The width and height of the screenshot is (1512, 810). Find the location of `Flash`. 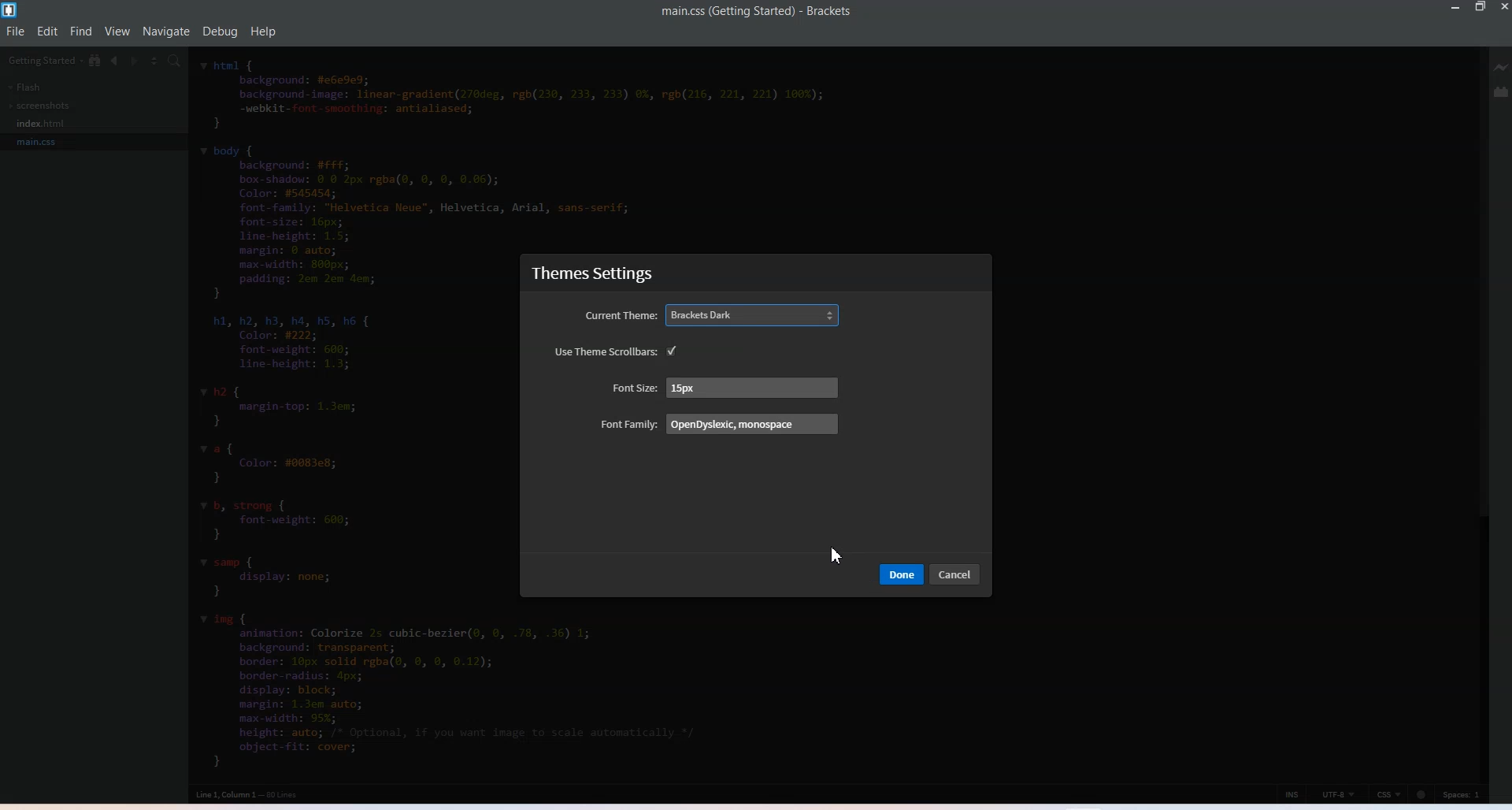

Flash is located at coordinates (25, 87).